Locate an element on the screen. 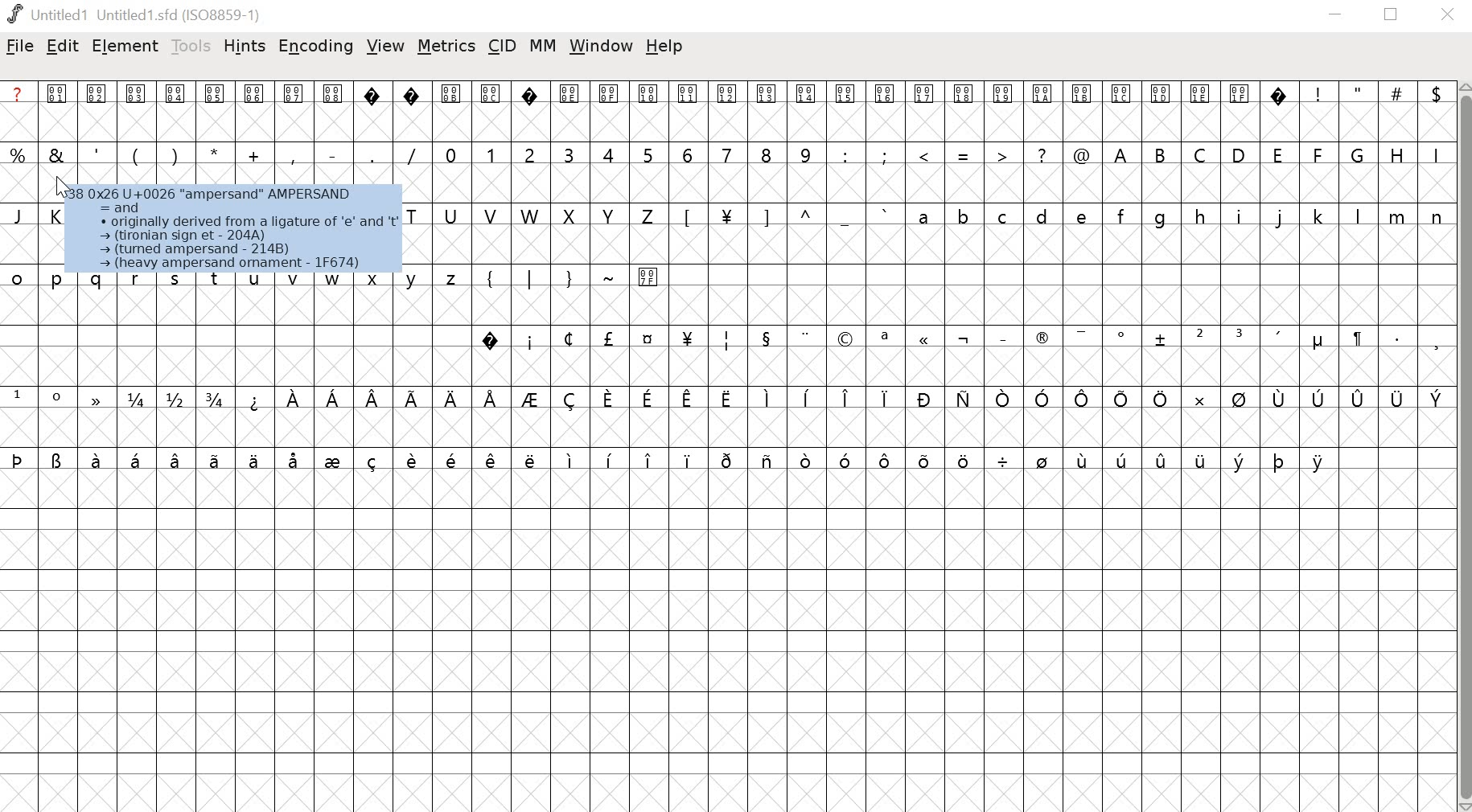 The image size is (1472, 812). 0018 is located at coordinates (965, 112).